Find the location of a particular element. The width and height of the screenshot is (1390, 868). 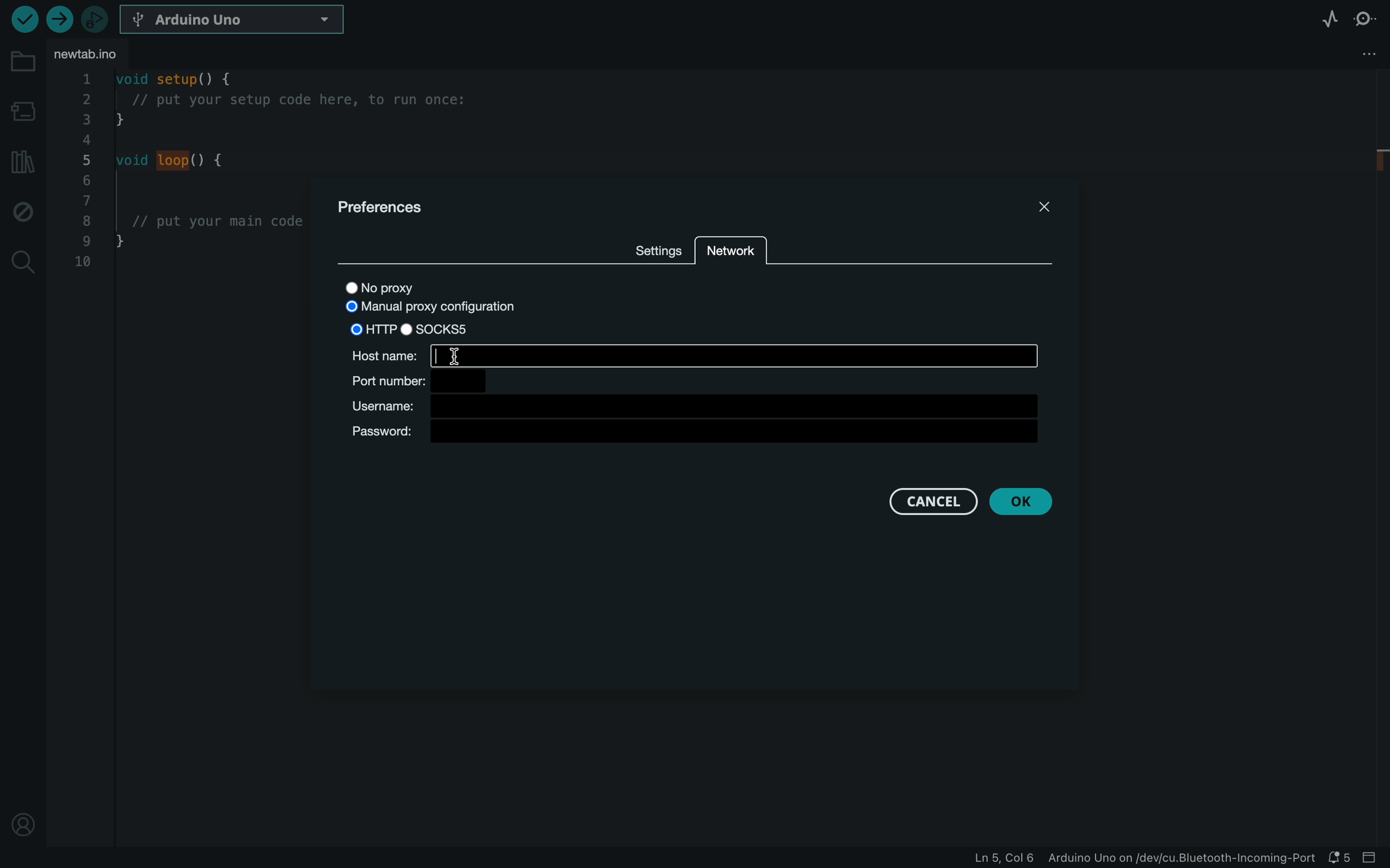

notification is located at coordinates (1341, 858).